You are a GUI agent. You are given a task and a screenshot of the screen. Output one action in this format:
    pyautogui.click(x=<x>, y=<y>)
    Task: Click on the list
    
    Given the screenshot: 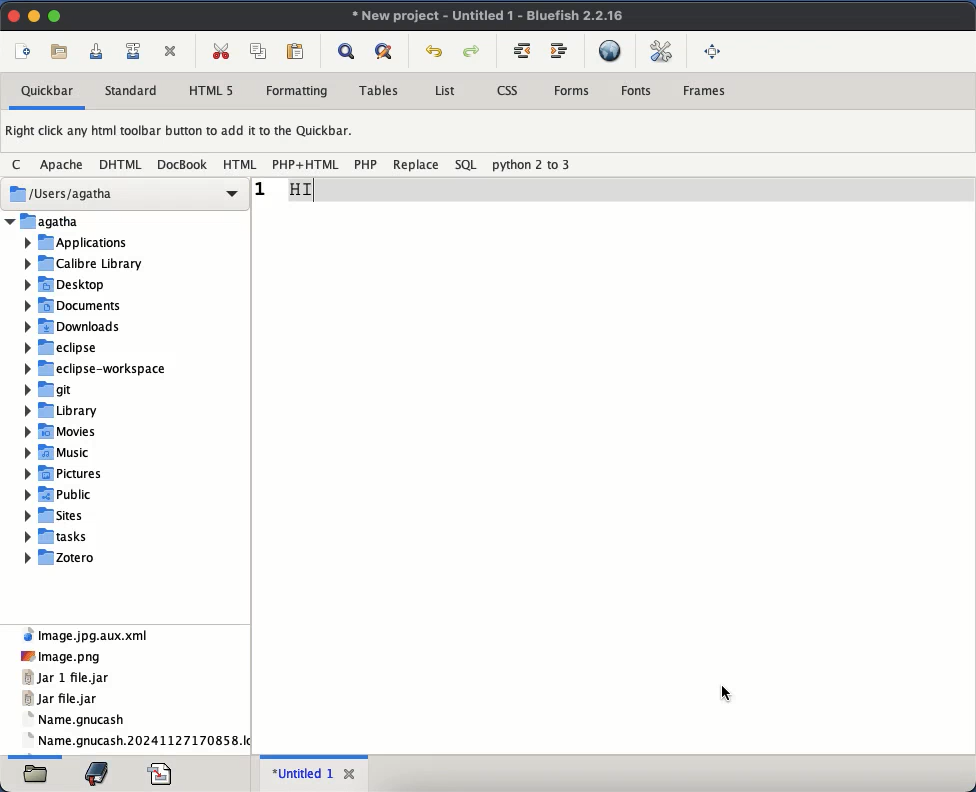 What is the action you would take?
    pyautogui.click(x=447, y=90)
    